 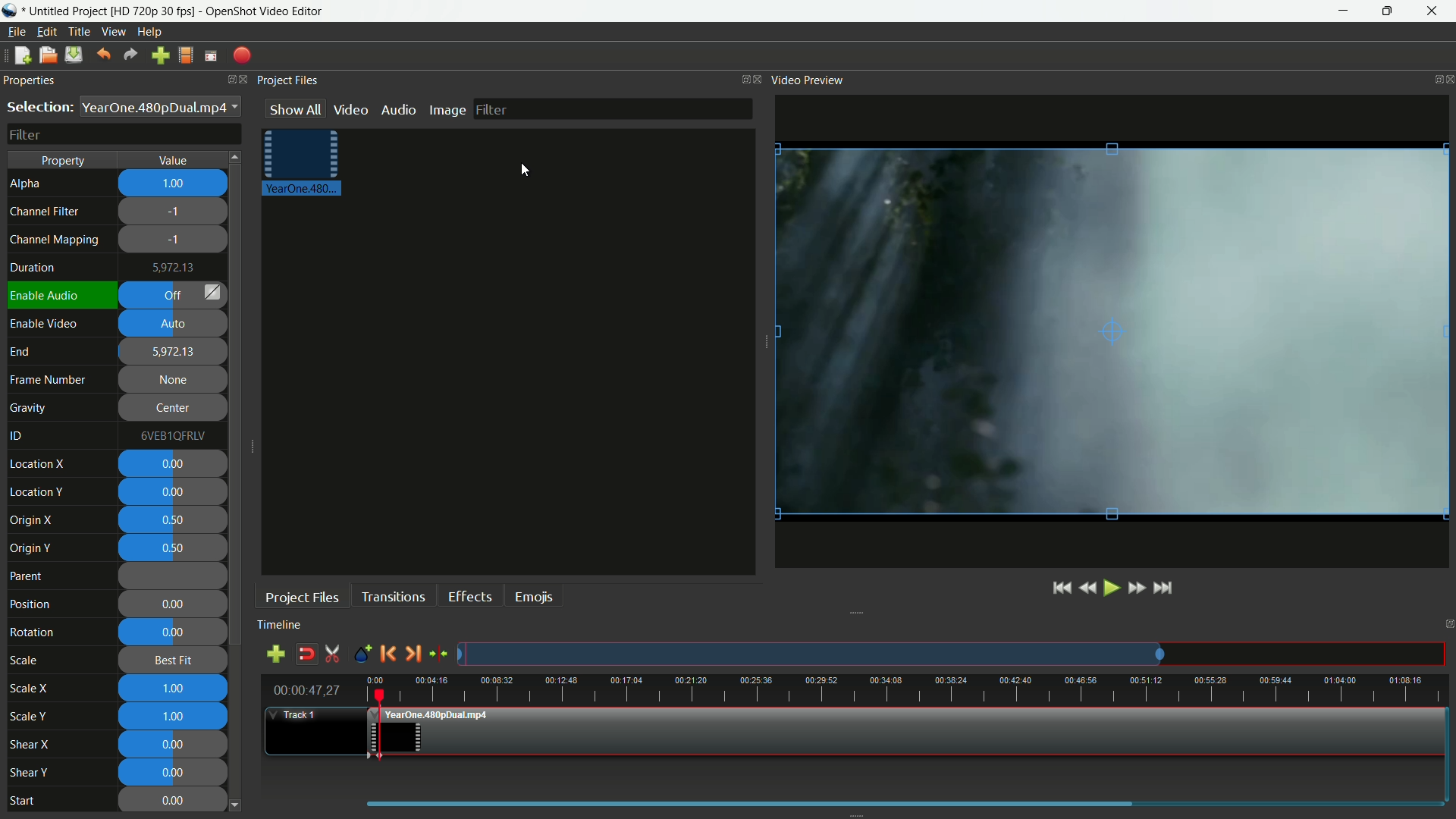 What do you see at coordinates (739, 79) in the screenshot?
I see `change layout` at bounding box center [739, 79].